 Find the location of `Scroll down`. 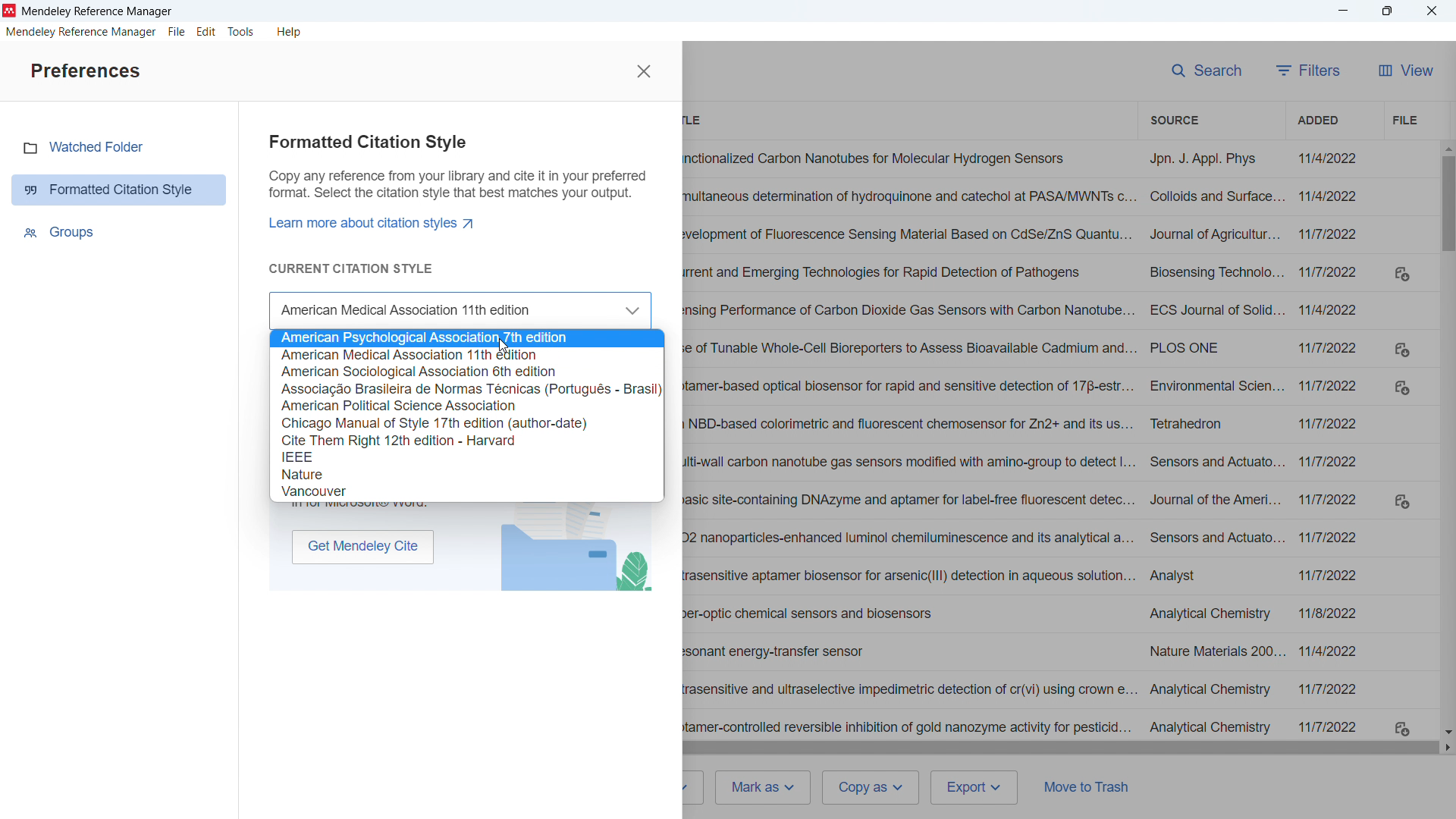

Scroll down is located at coordinates (1446, 732).